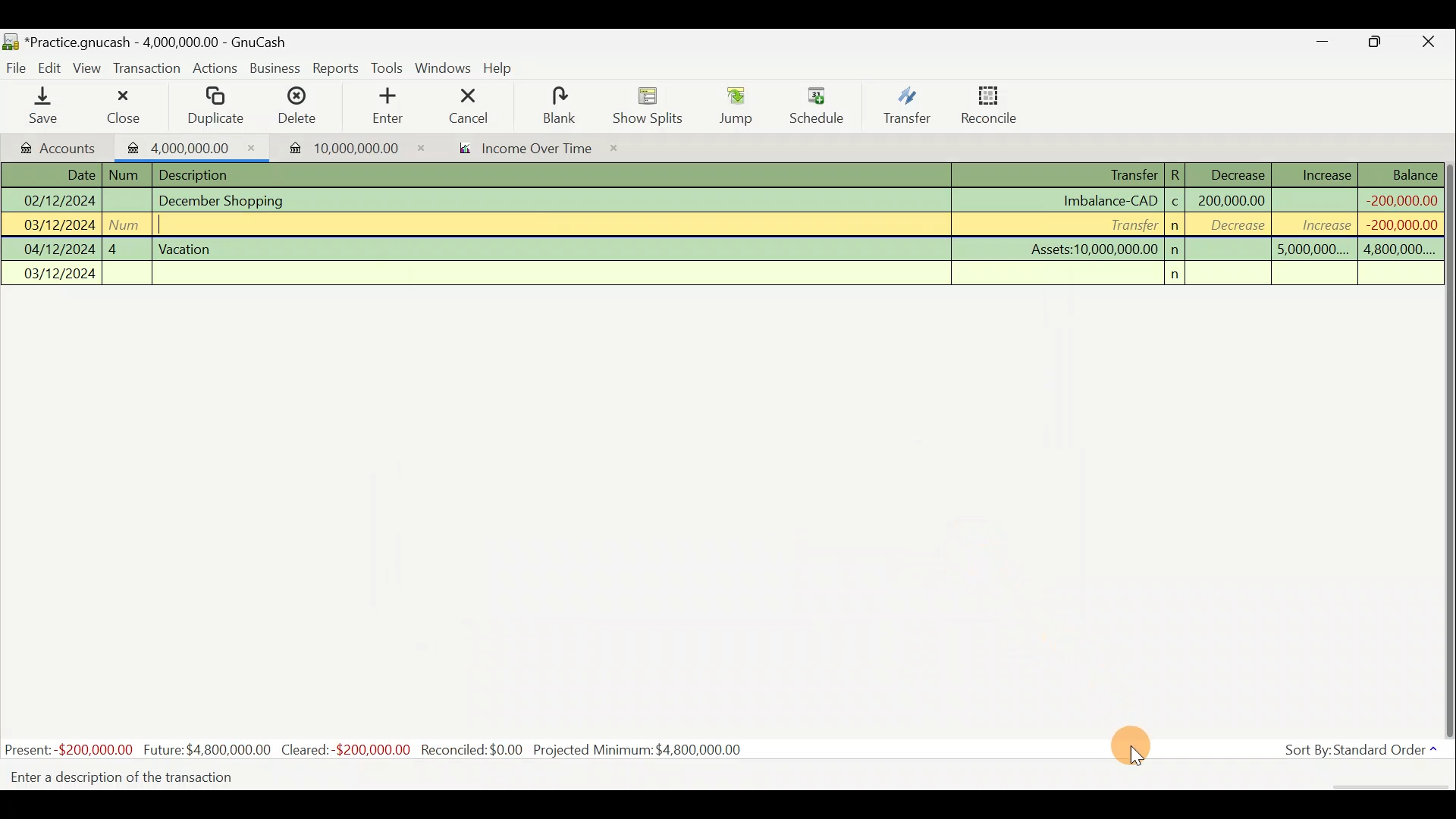  What do you see at coordinates (1177, 226) in the screenshot?
I see `n` at bounding box center [1177, 226].